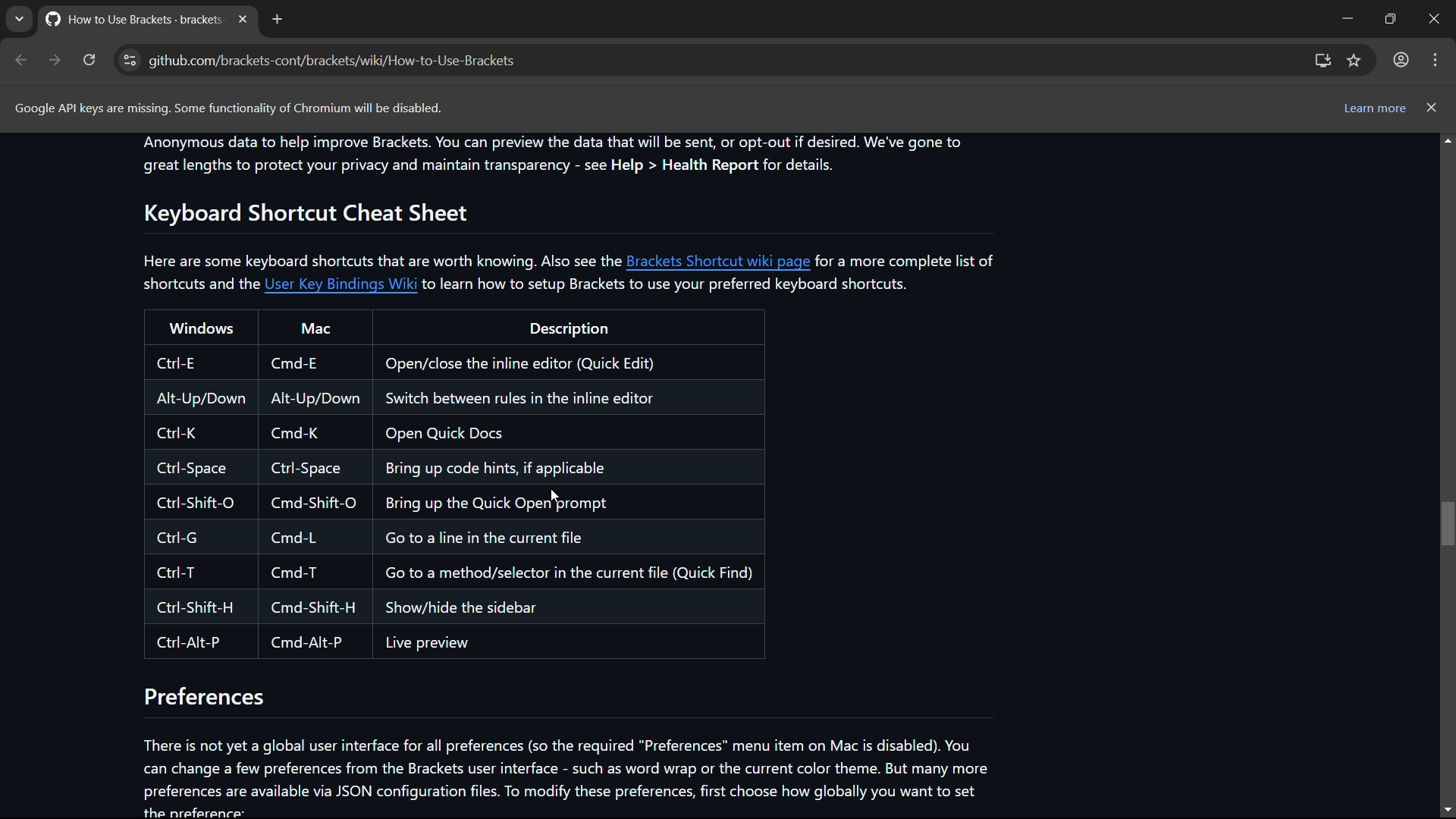 Image resolution: width=1456 pixels, height=819 pixels. What do you see at coordinates (130, 17) in the screenshot?
I see `tab name` at bounding box center [130, 17].